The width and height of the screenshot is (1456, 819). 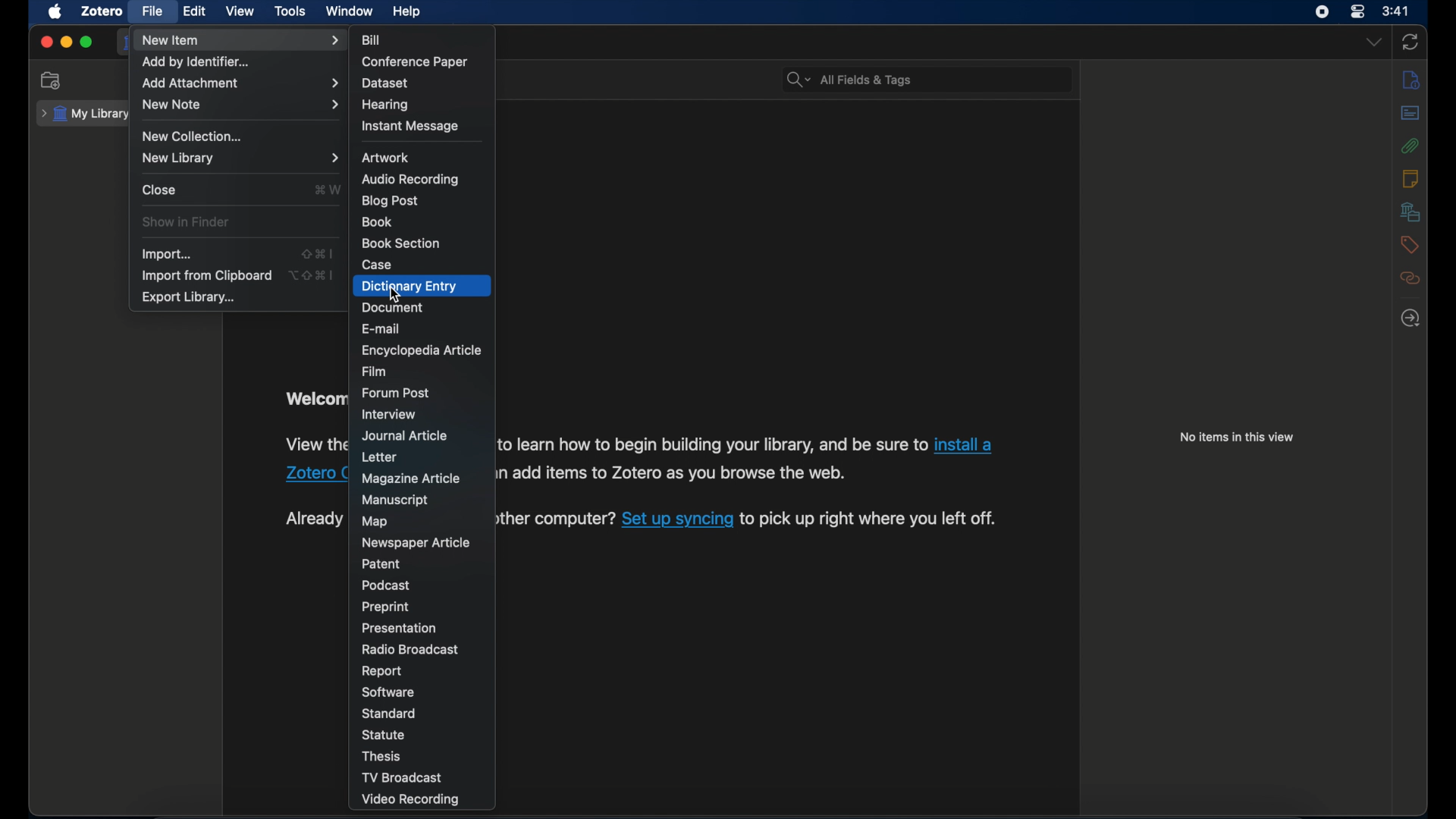 What do you see at coordinates (375, 522) in the screenshot?
I see `map` at bounding box center [375, 522].